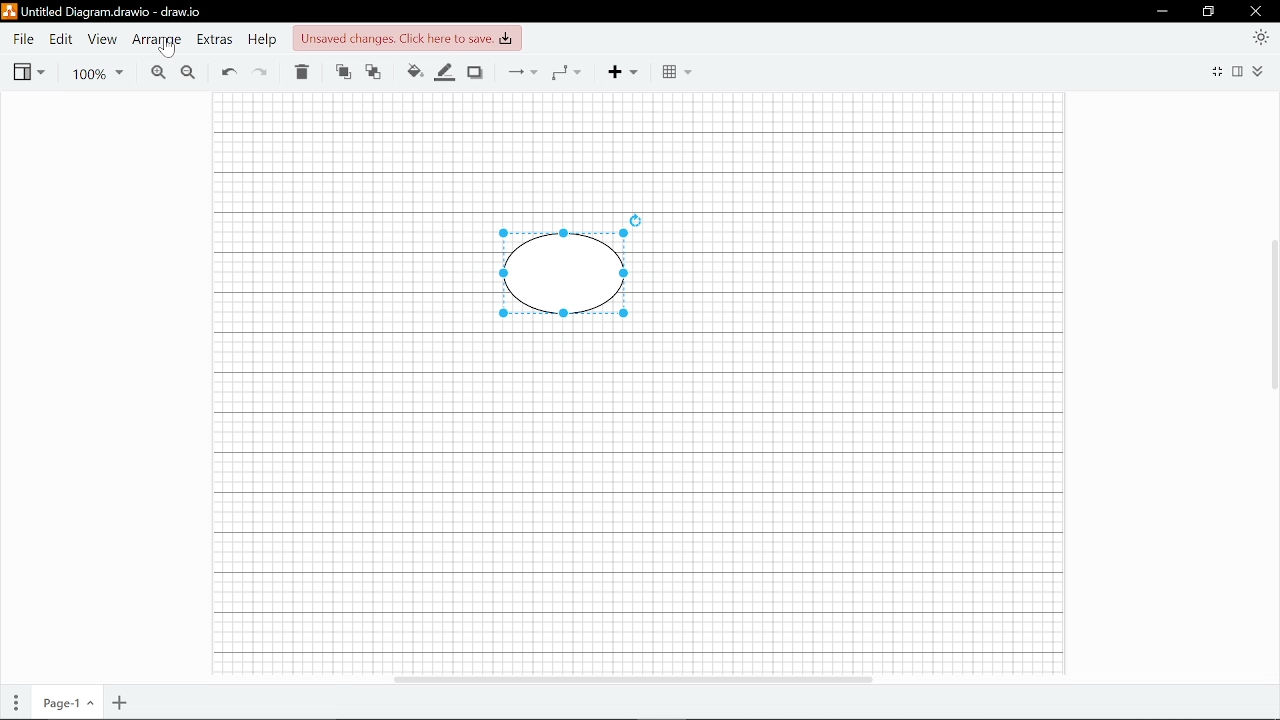  I want to click on Help, so click(265, 41).